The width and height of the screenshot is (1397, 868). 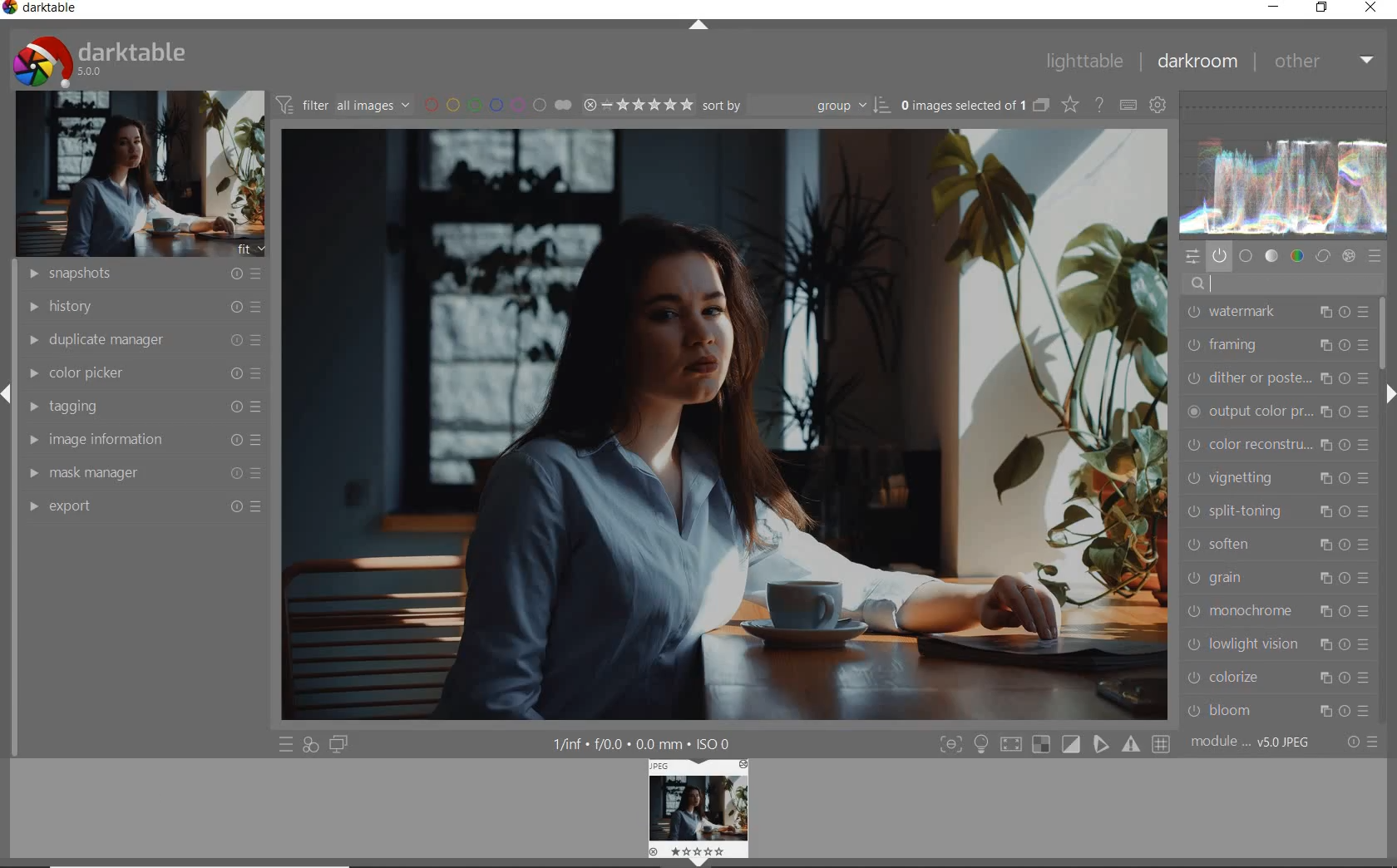 What do you see at coordinates (1288, 165) in the screenshot?
I see `waveform` at bounding box center [1288, 165].